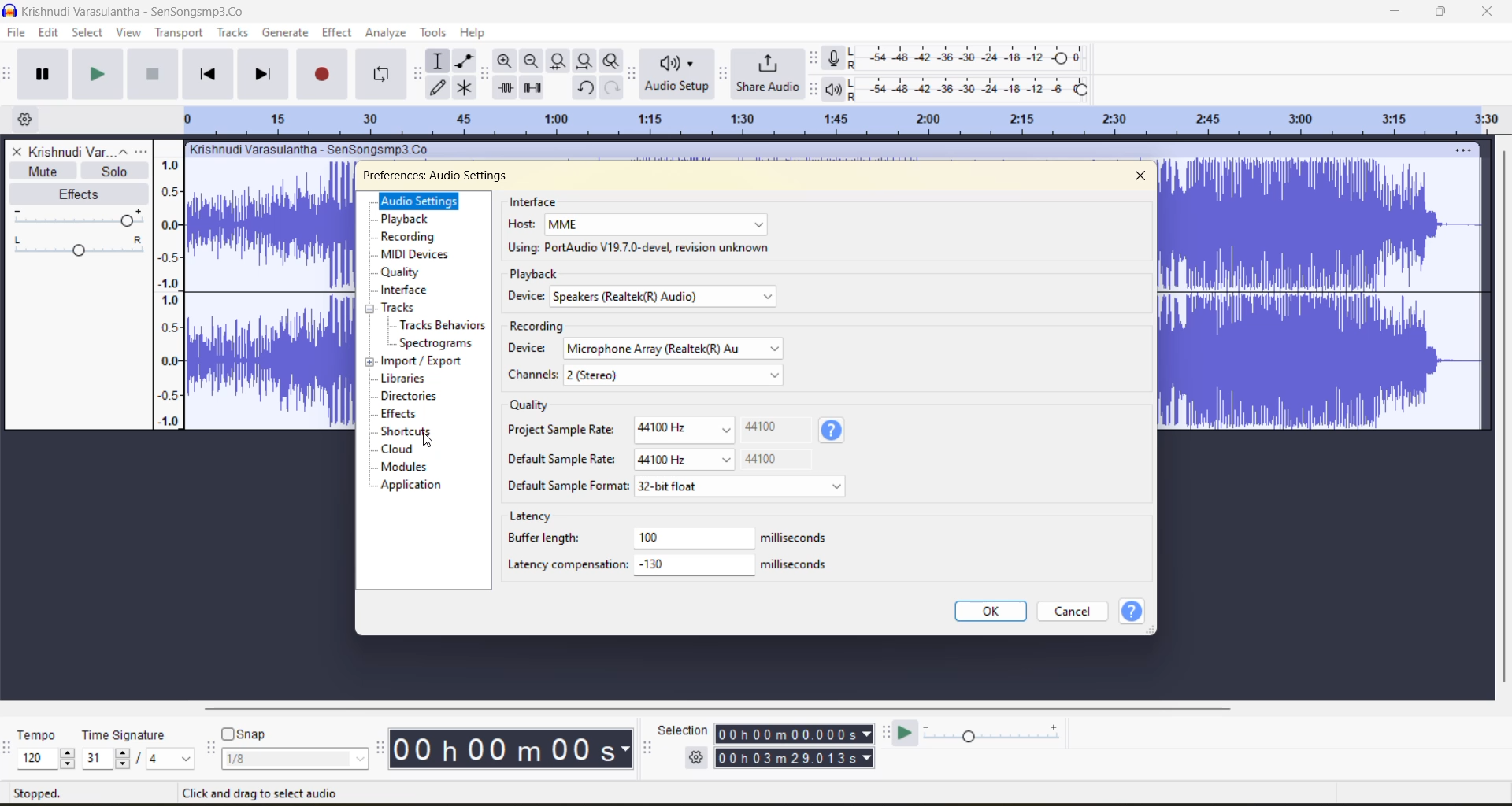 This screenshot has width=1512, height=806. What do you see at coordinates (131, 34) in the screenshot?
I see `view` at bounding box center [131, 34].